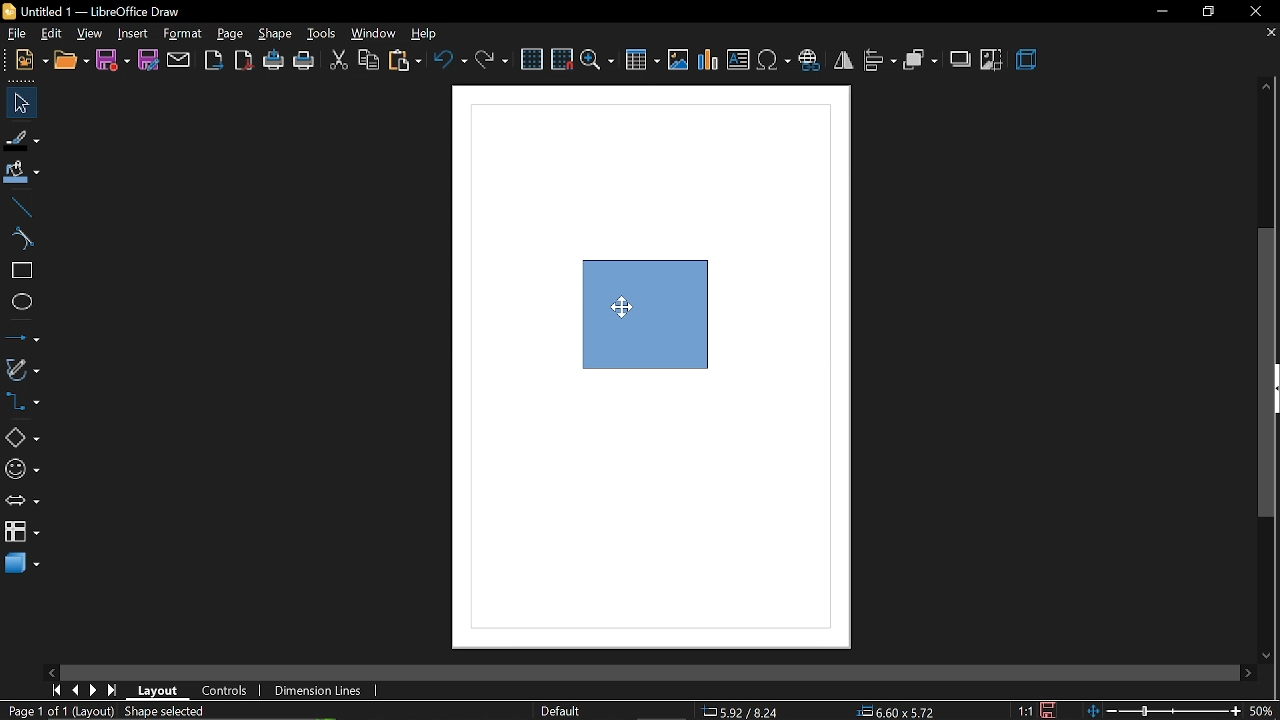 This screenshot has height=720, width=1280. What do you see at coordinates (430, 34) in the screenshot?
I see `help` at bounding box center [430, 34].